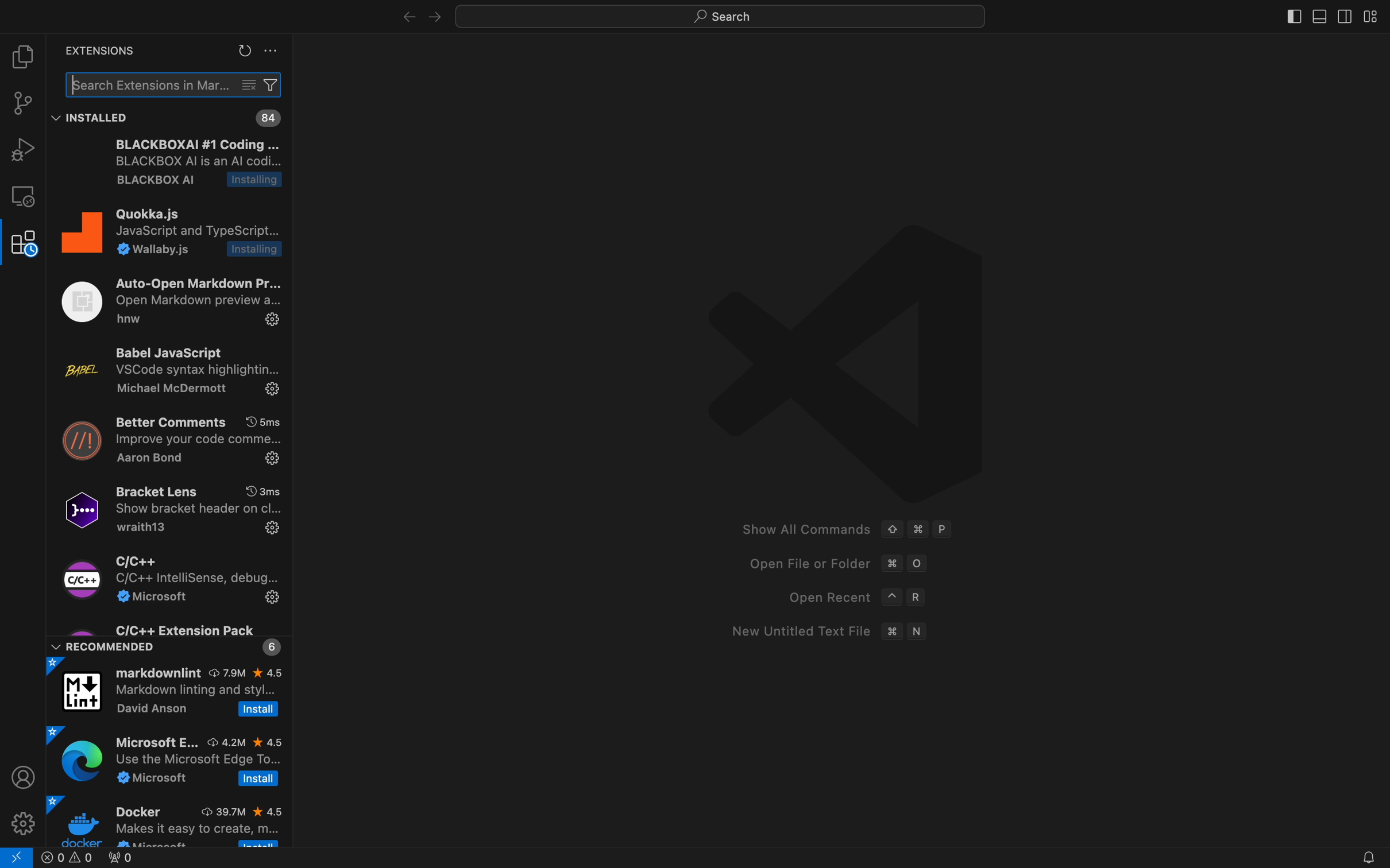  Describe the element at coordinates (269, 118) in the screenshot. I see `installed extensions` at that location.